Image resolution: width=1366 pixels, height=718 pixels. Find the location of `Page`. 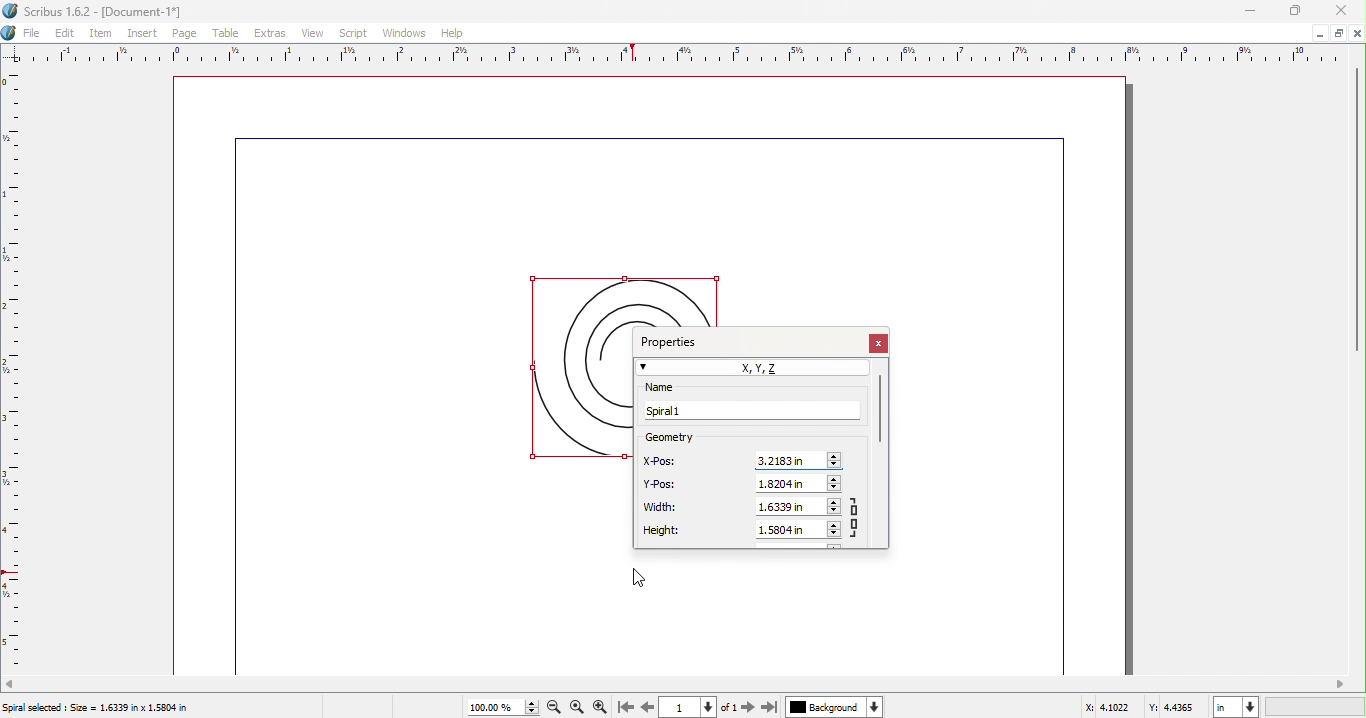

Page is located at coordinates (187, 34).